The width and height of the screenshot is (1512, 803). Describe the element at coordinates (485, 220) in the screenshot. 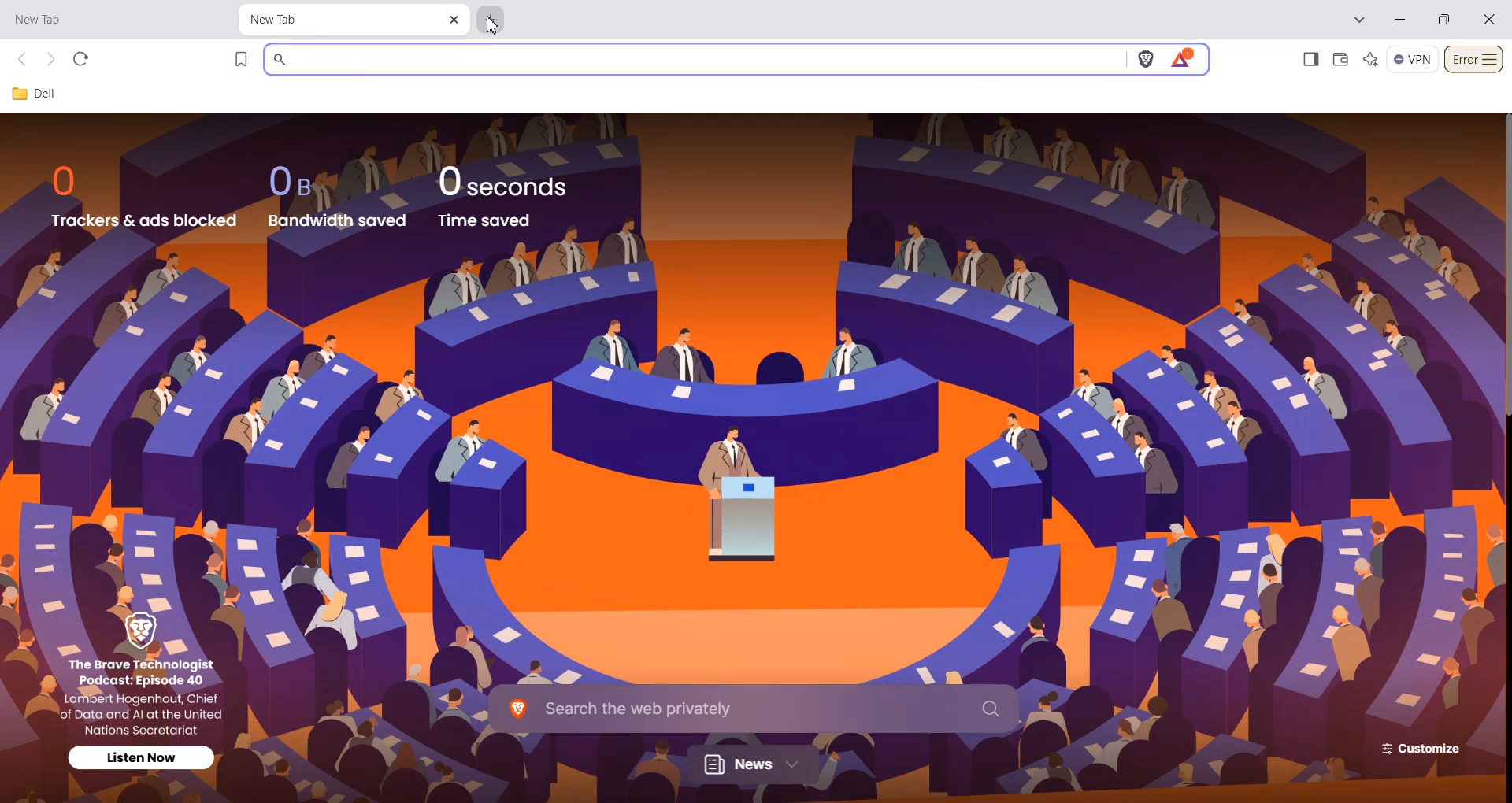

I see `Time saved` at that location.